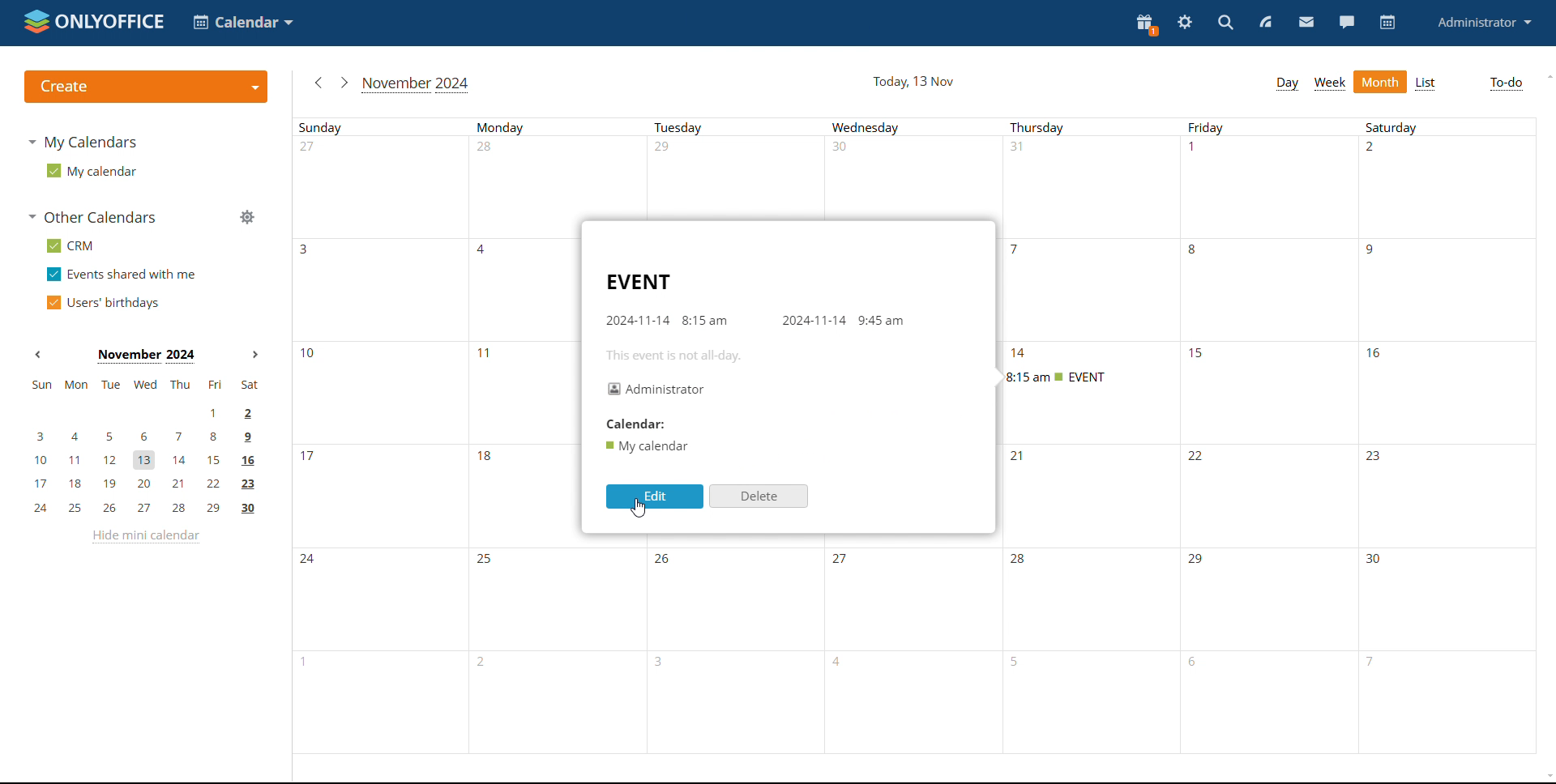  Describe the element at coordinates (757, 496) in the screenshot. I see `delete` at that location.